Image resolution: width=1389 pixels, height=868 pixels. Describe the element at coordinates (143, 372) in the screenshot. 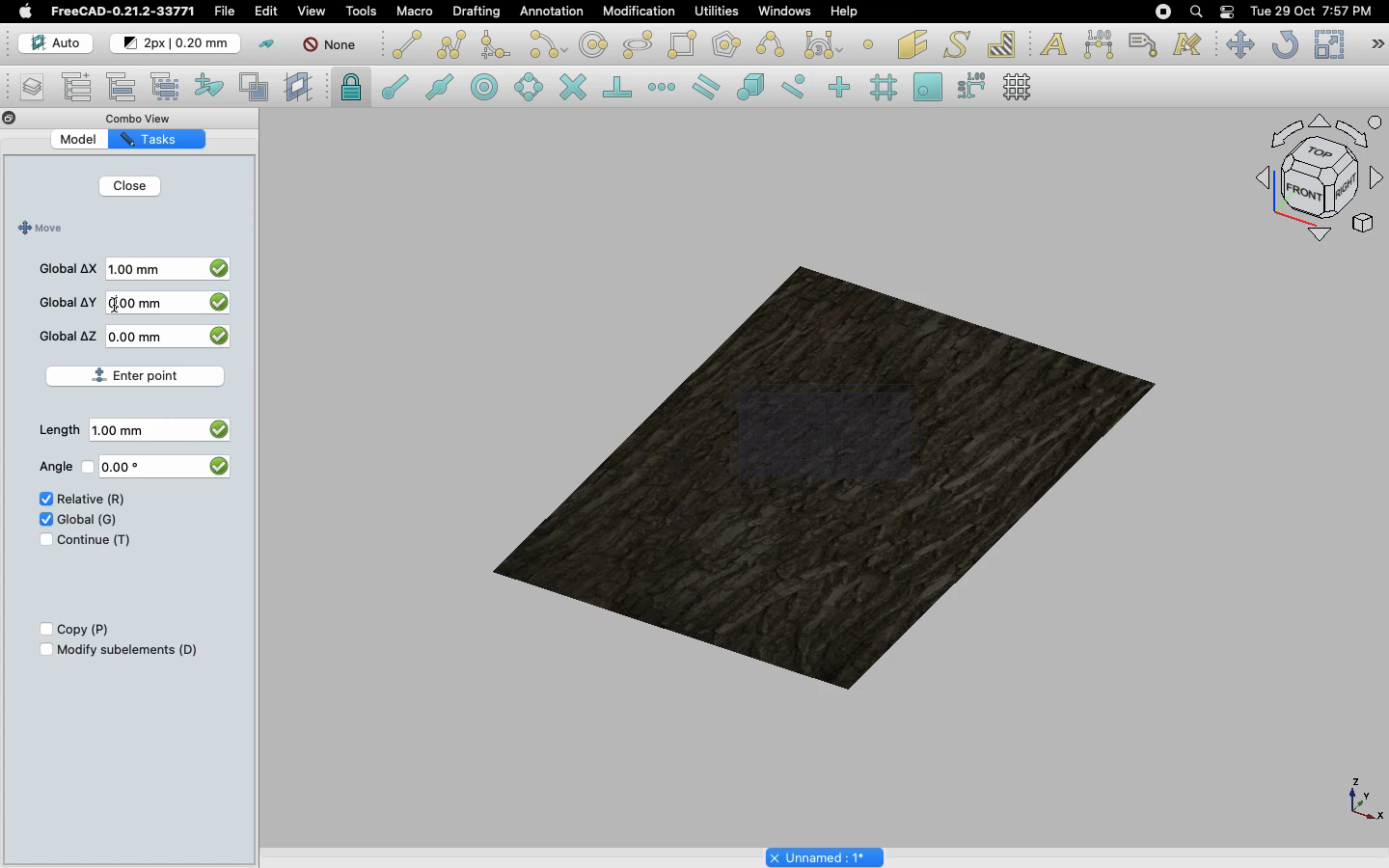

I see `Enter point` at that location.